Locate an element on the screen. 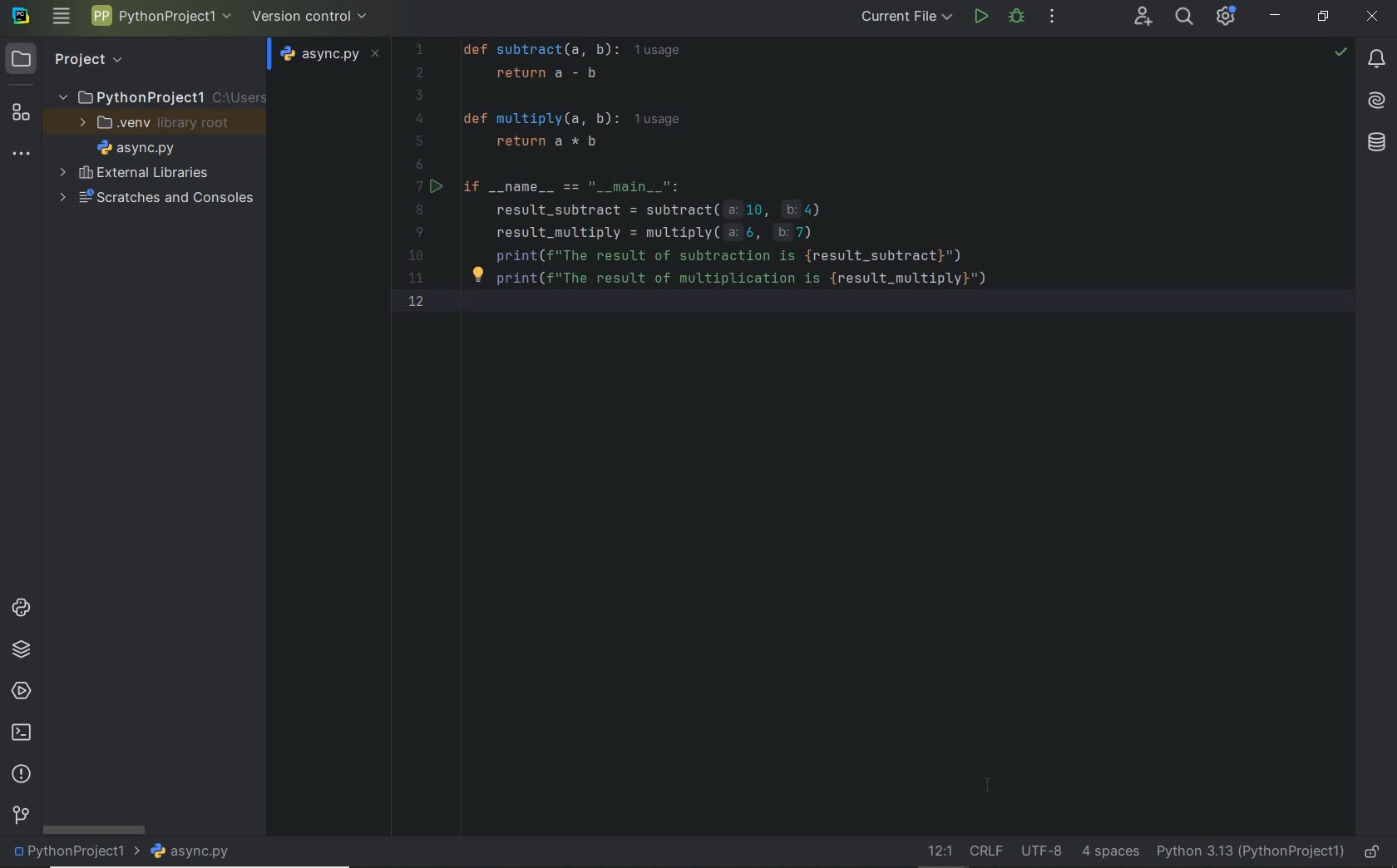 This screenshot has height=868, width=1397. no problems is located at coordinates (1340, 52).